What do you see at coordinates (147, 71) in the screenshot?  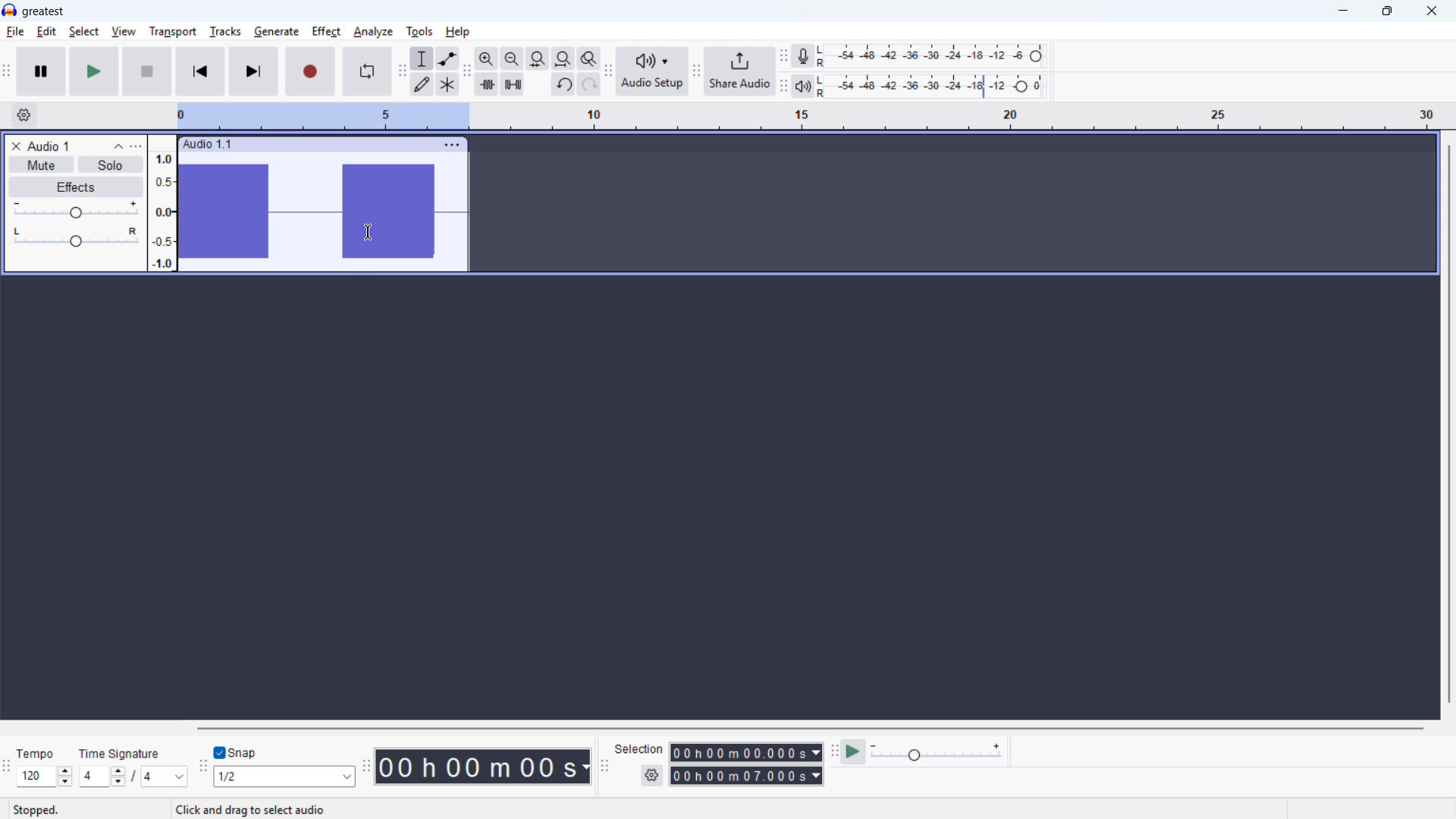 I see `stop ` at bounding box center [147, 71].